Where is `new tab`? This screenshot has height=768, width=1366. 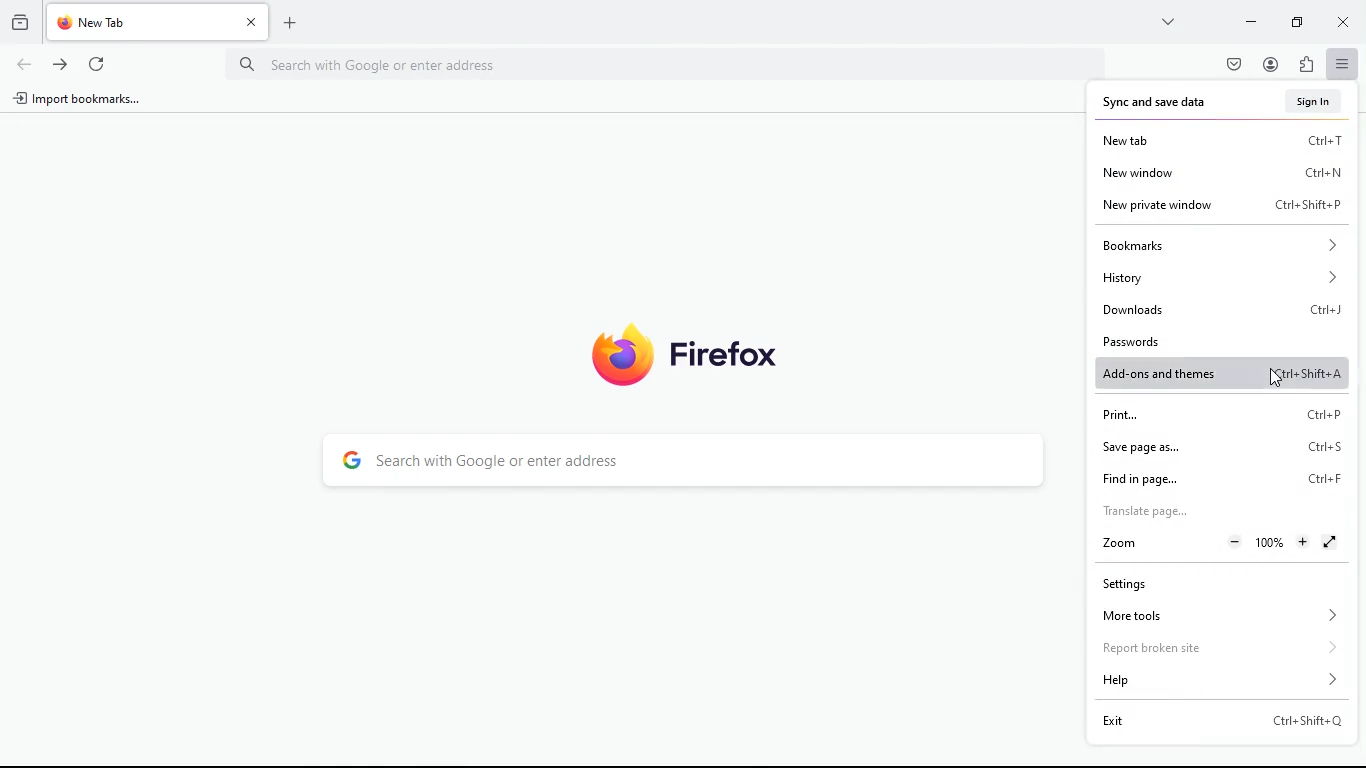 new tab is located at coordinates (142, 22).